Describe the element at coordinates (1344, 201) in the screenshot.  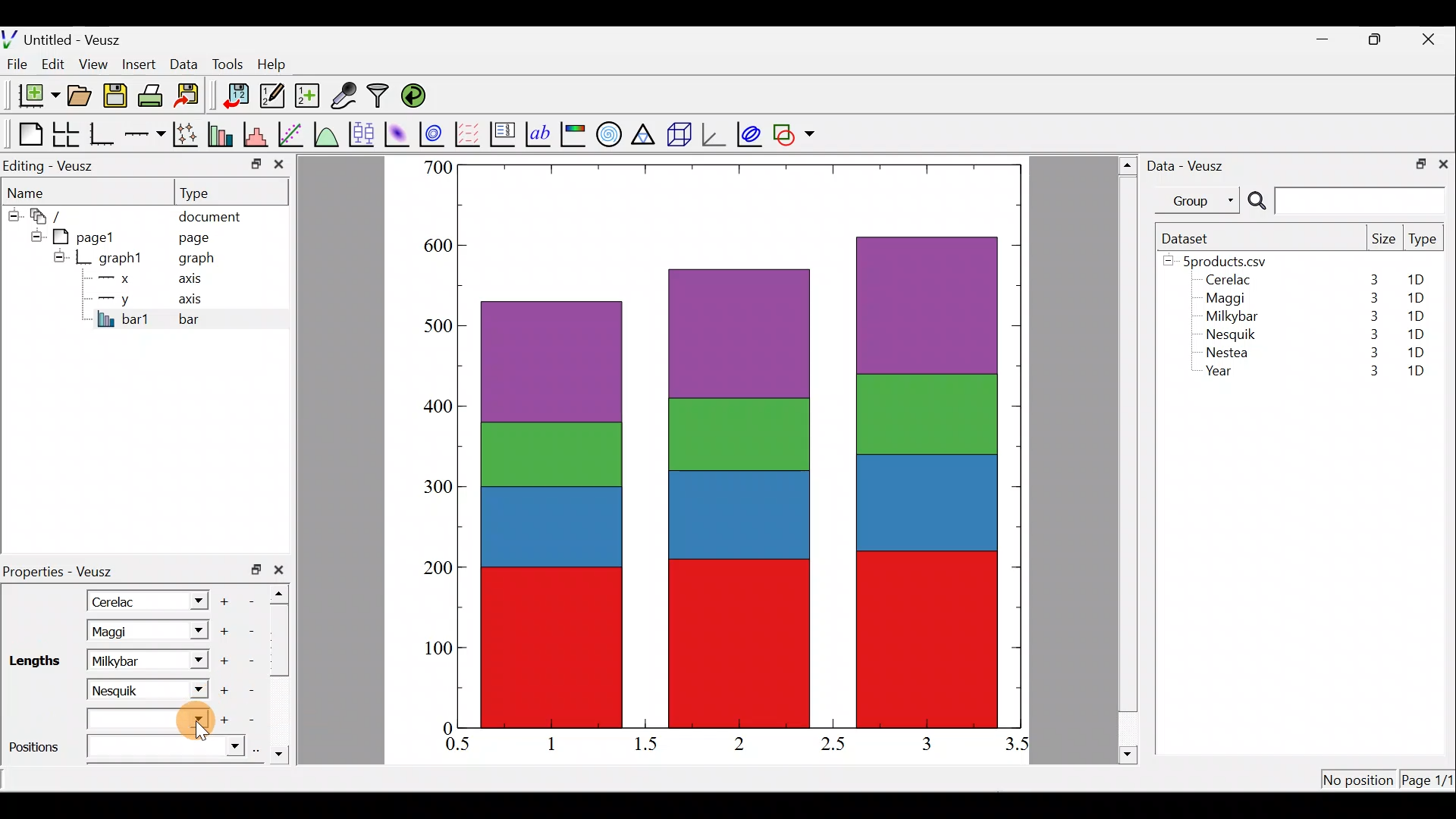
I see `Search bar` at that location.